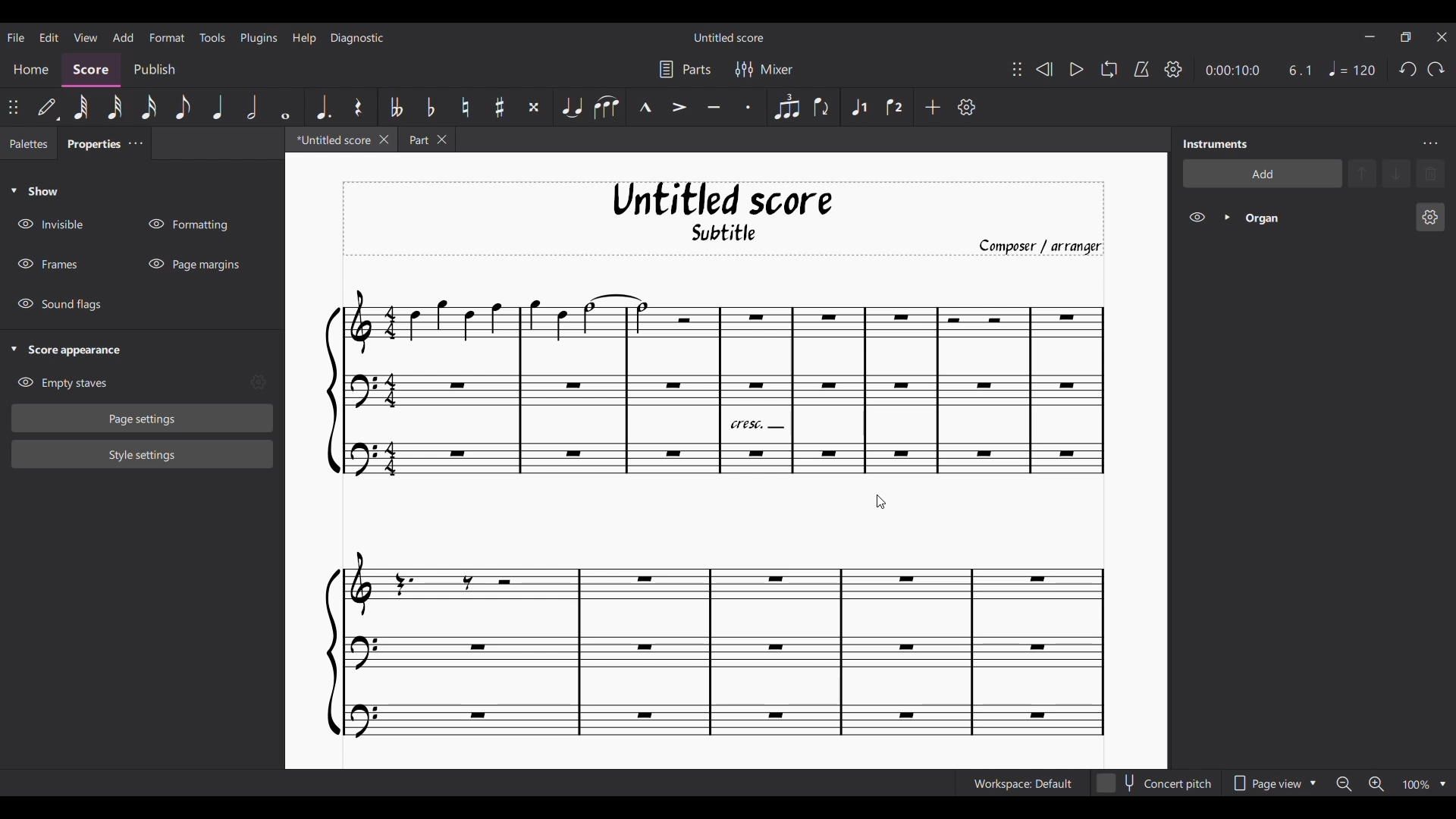 This screenshot has width=1456, height=819. I want to click on 8th note, so click(183, 108).